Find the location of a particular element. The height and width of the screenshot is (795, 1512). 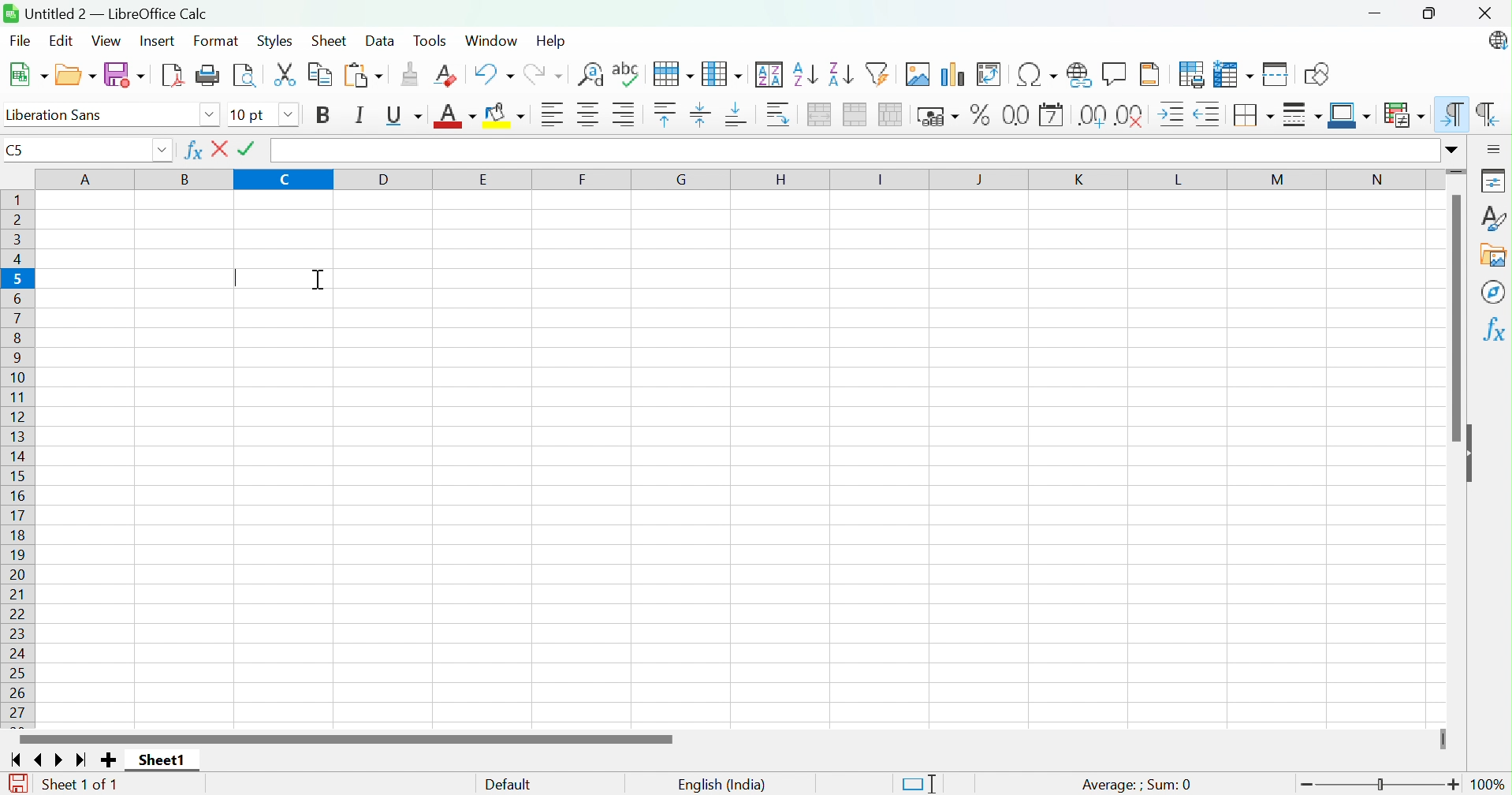

Cut is located at coordinates (286, 75).